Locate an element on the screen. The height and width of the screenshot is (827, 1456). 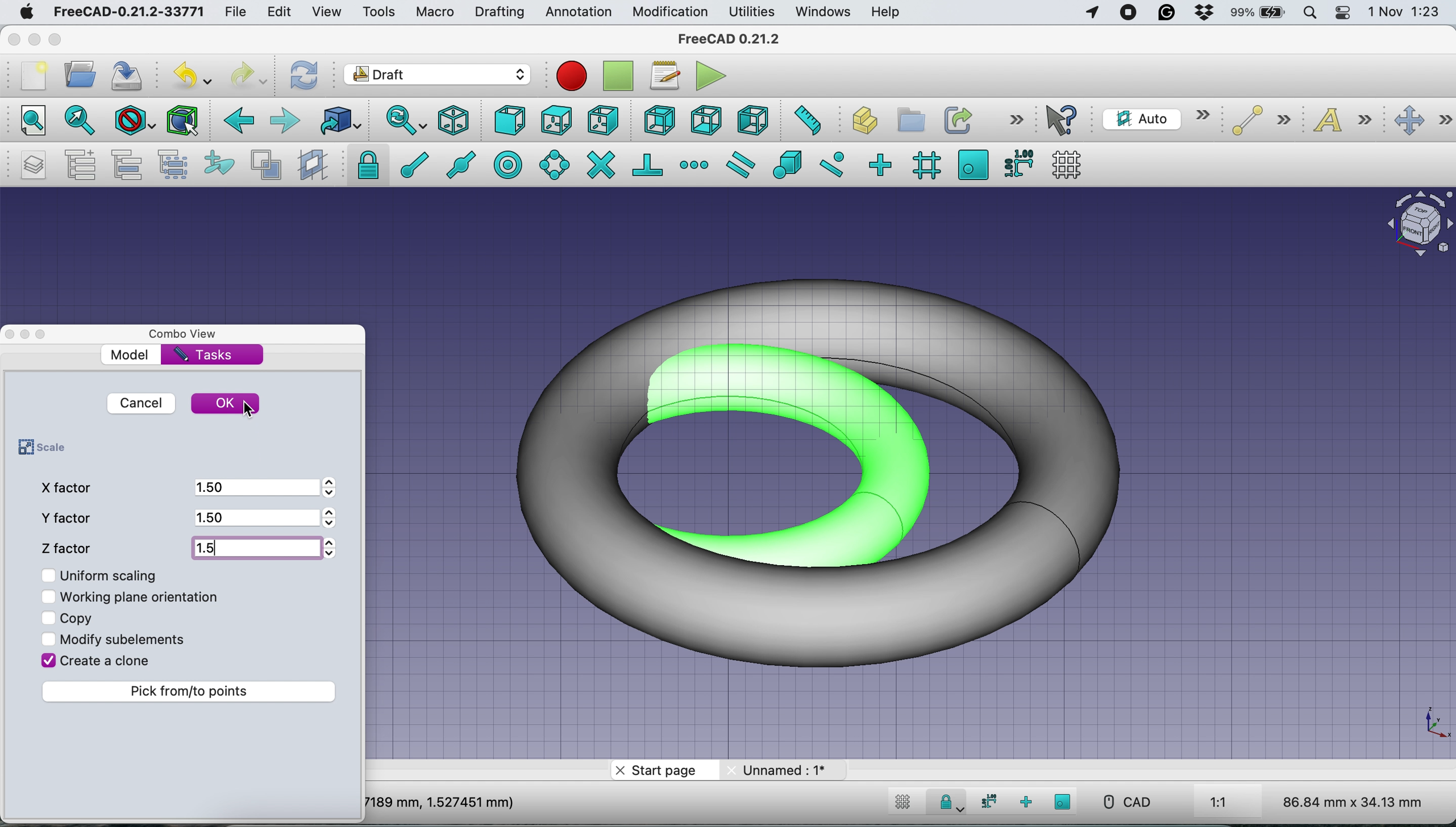
go to linked object is located at coordinates (339, 120).